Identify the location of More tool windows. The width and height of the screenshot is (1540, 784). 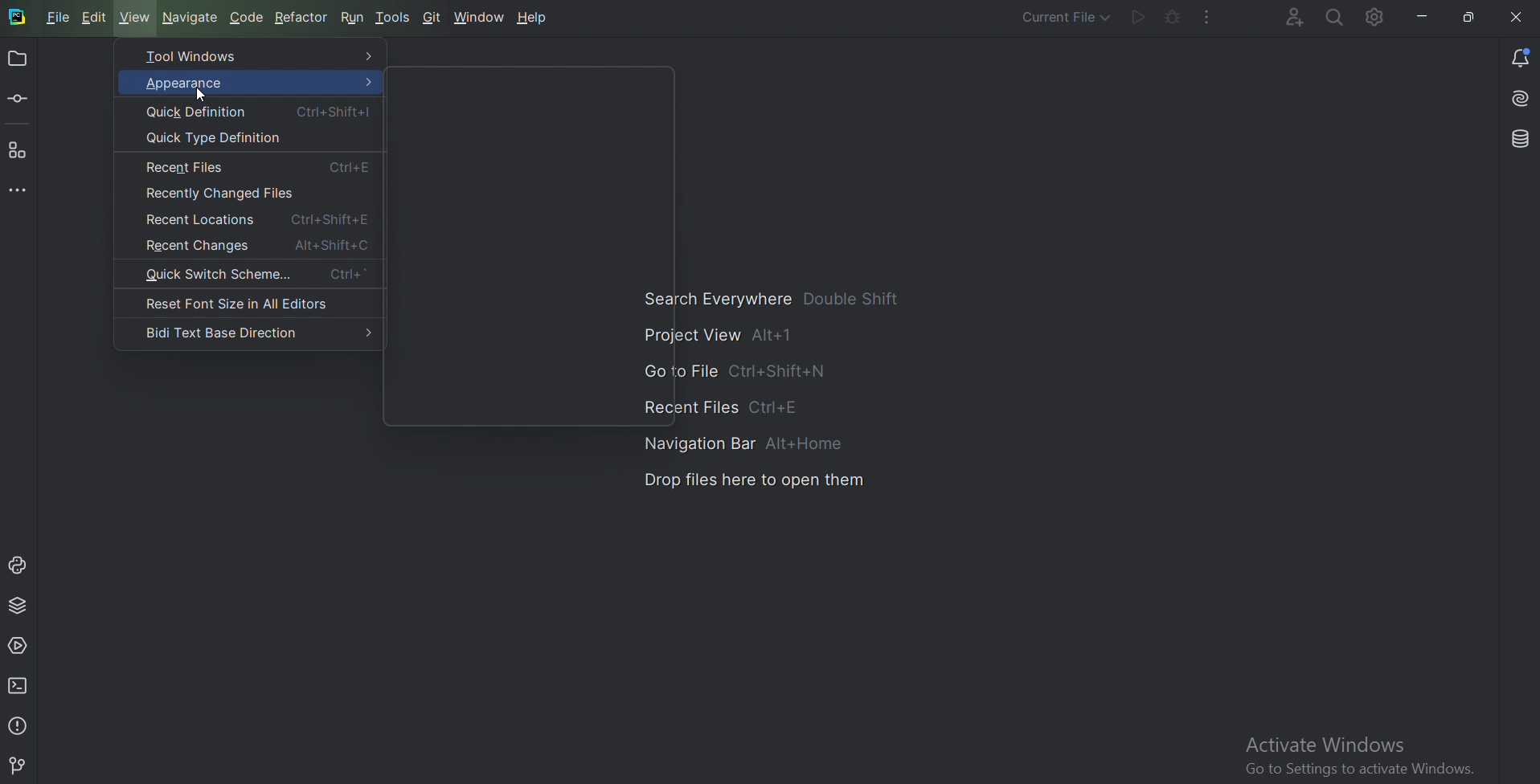
(23, 188).